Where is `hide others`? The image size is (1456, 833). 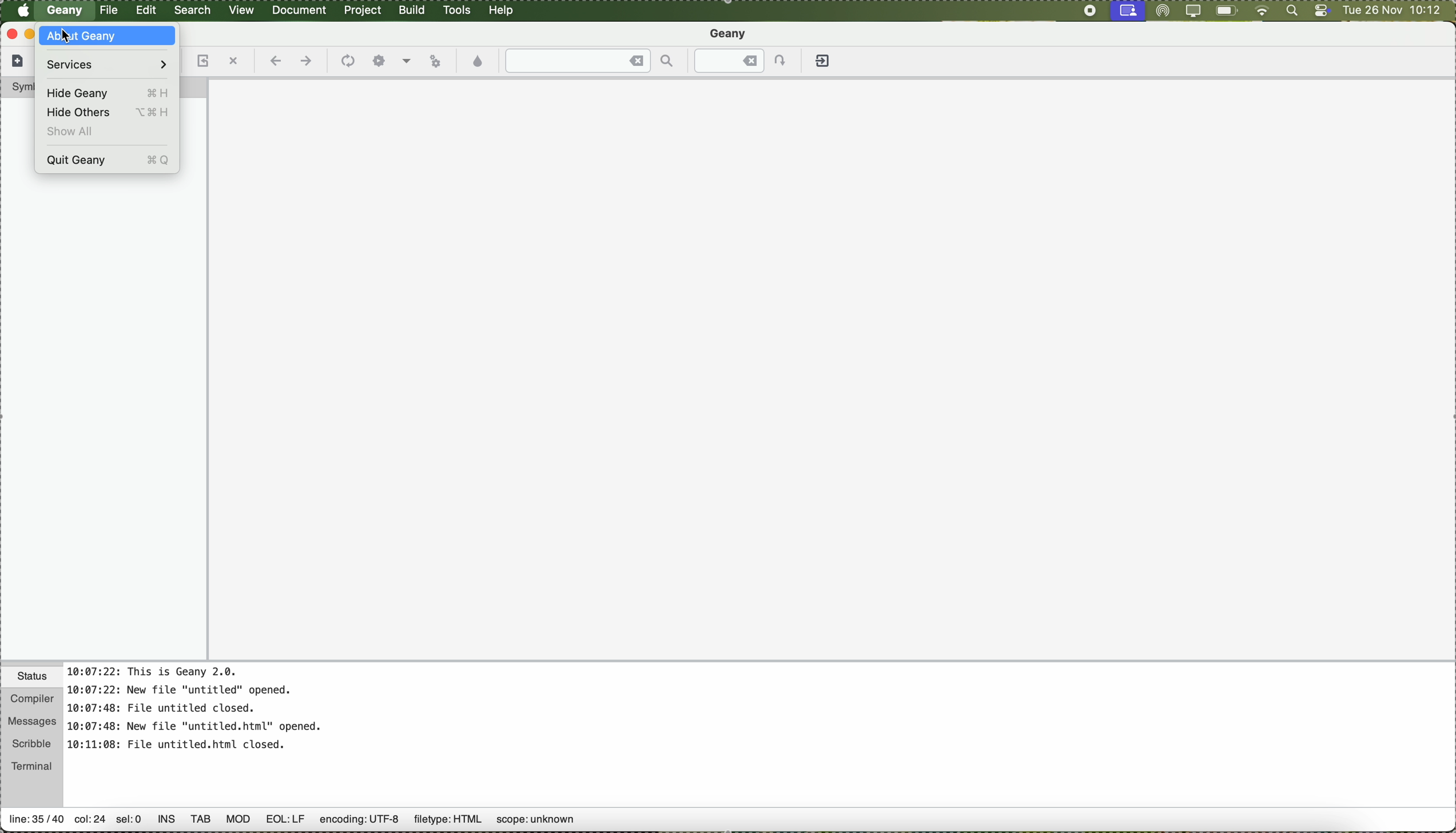
hide others is located at coordinates (106, 114).